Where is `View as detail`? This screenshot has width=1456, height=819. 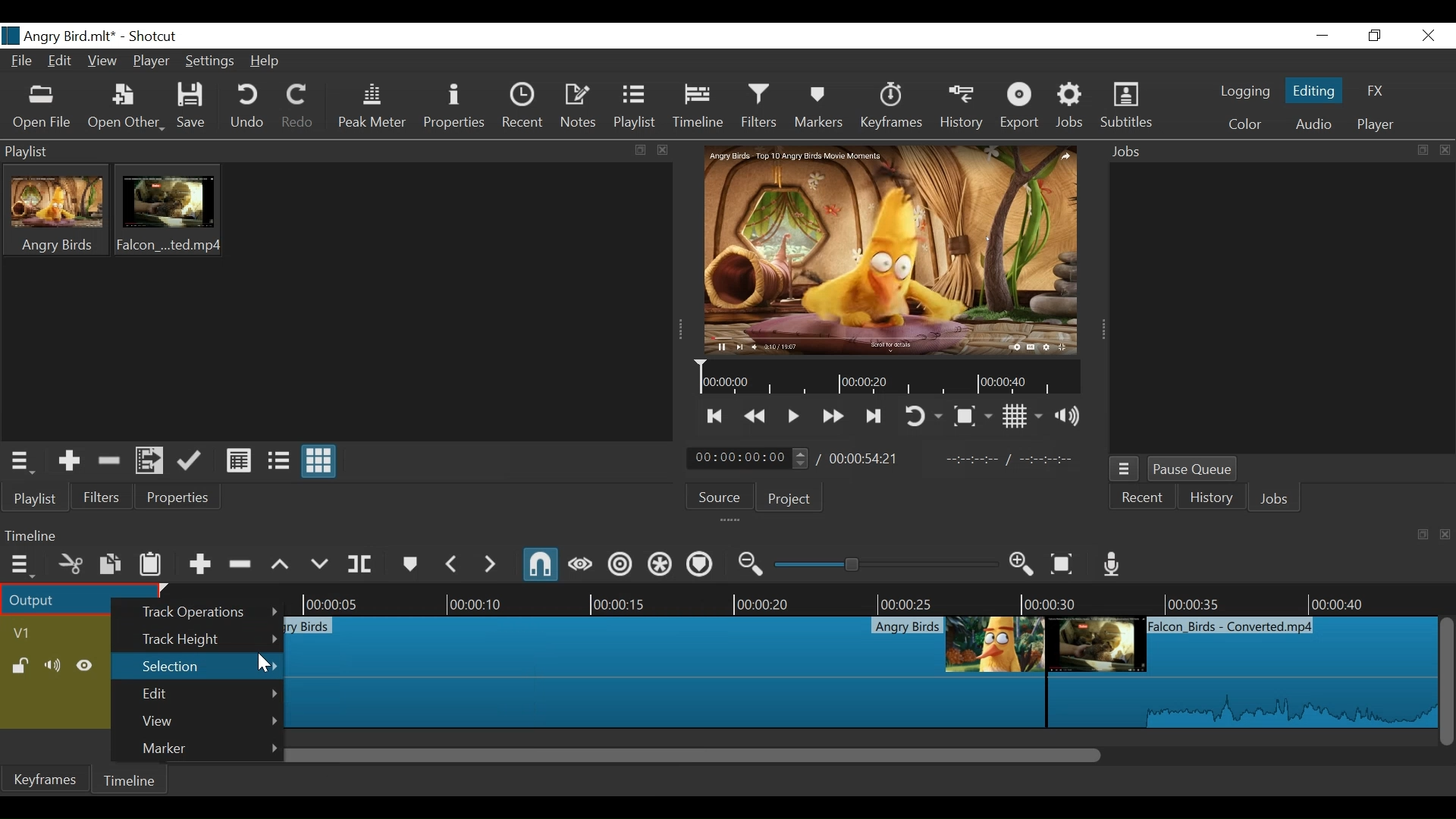 View as detail is located at coordinates (238, 460).